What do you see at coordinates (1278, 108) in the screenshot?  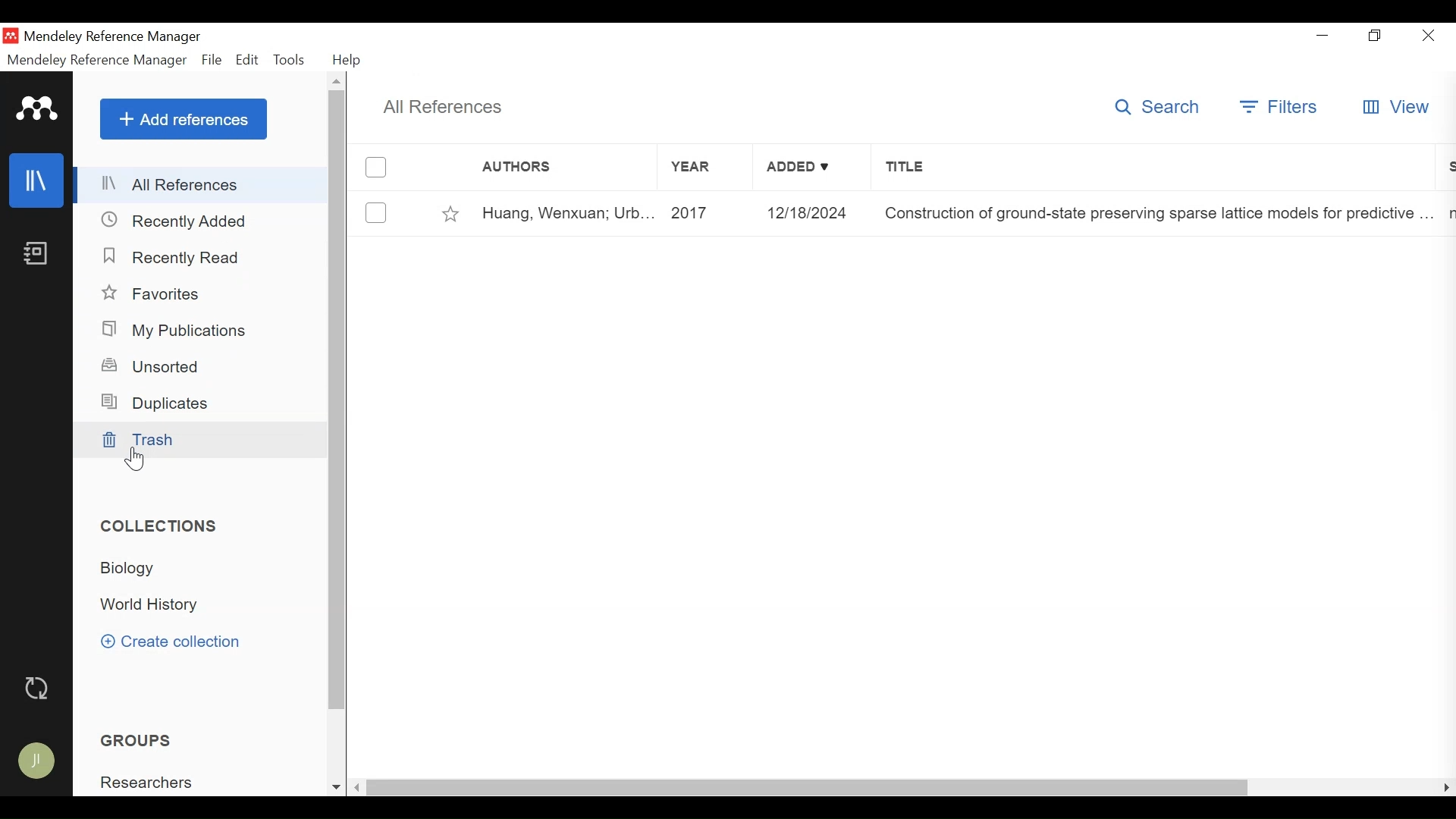 I see `Filters` at bounding box center [1278, 108].